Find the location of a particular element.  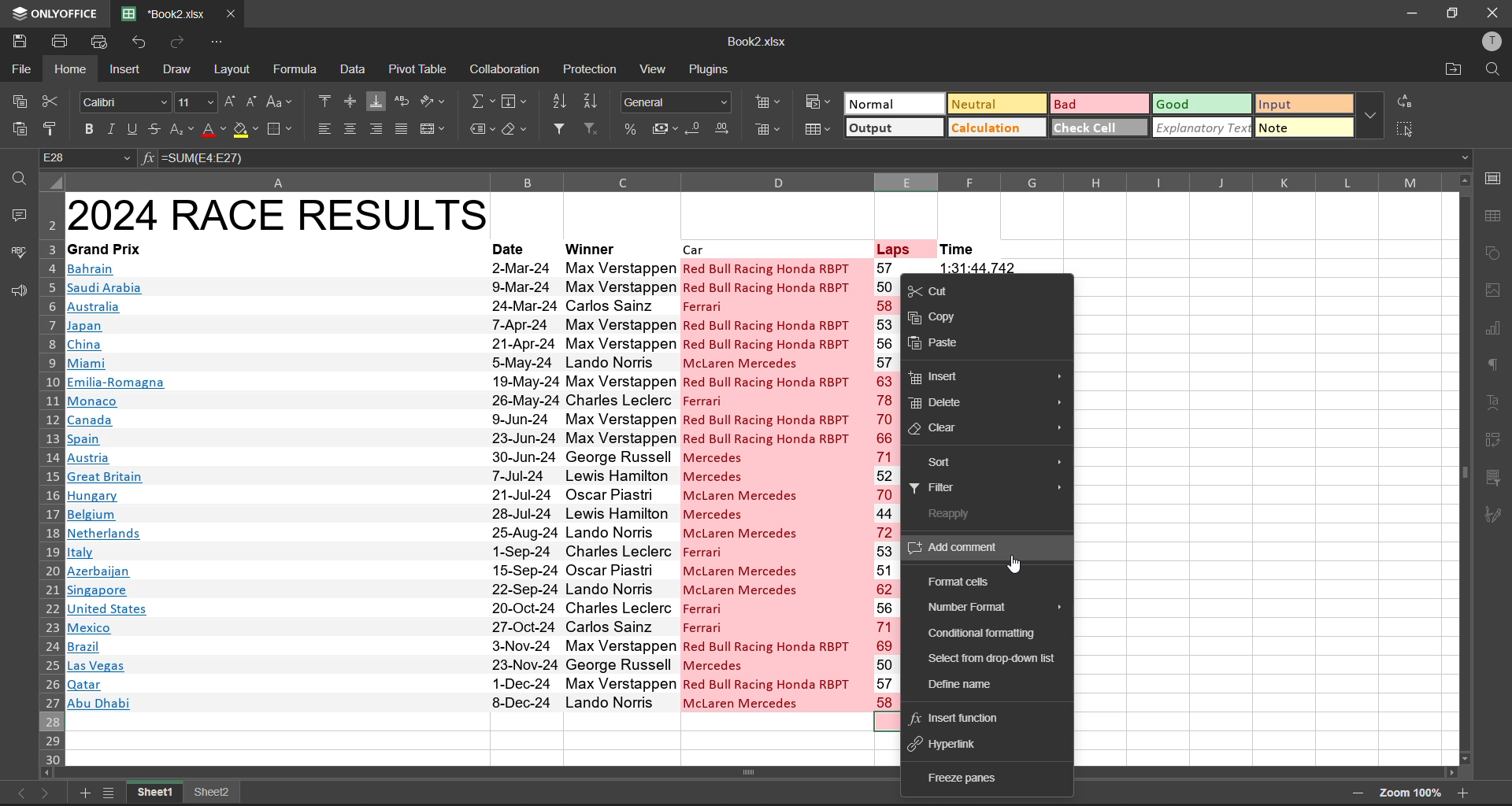

minimize is located at coordinates (1409, 14).